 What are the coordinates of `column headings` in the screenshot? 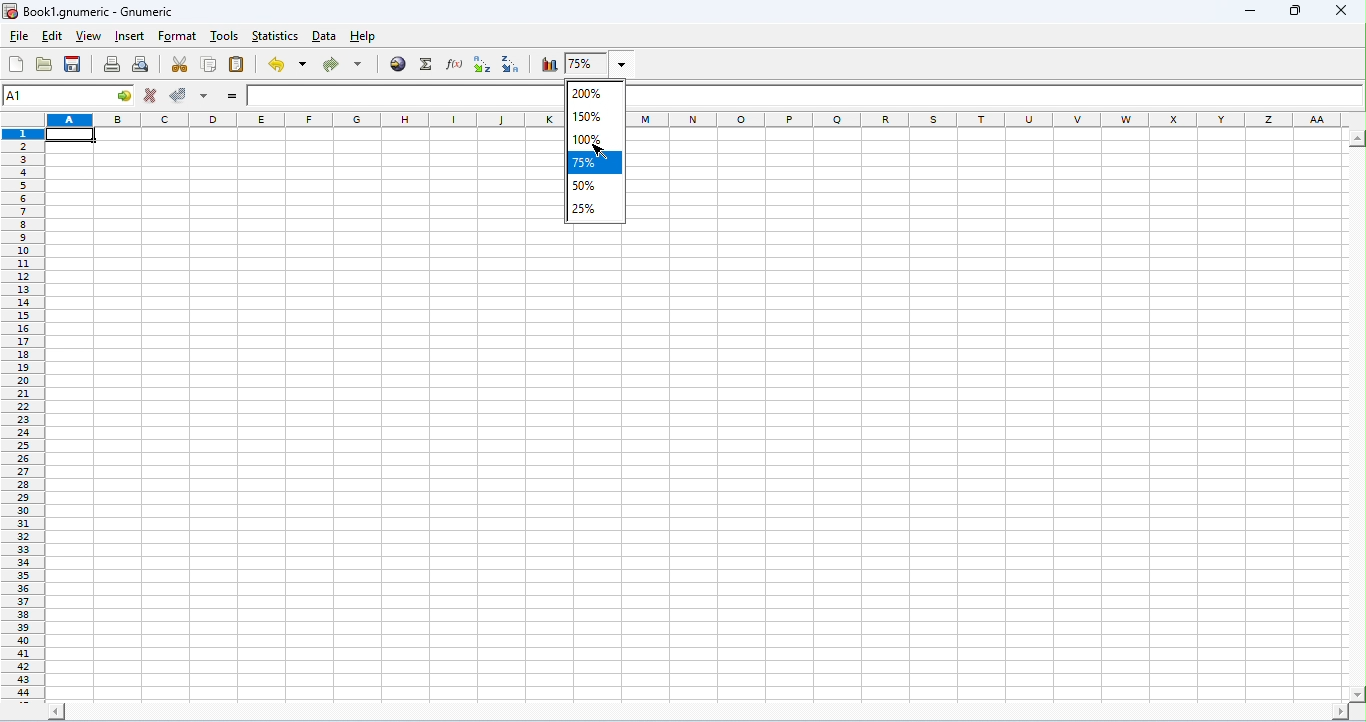 It's located at (989, 119).